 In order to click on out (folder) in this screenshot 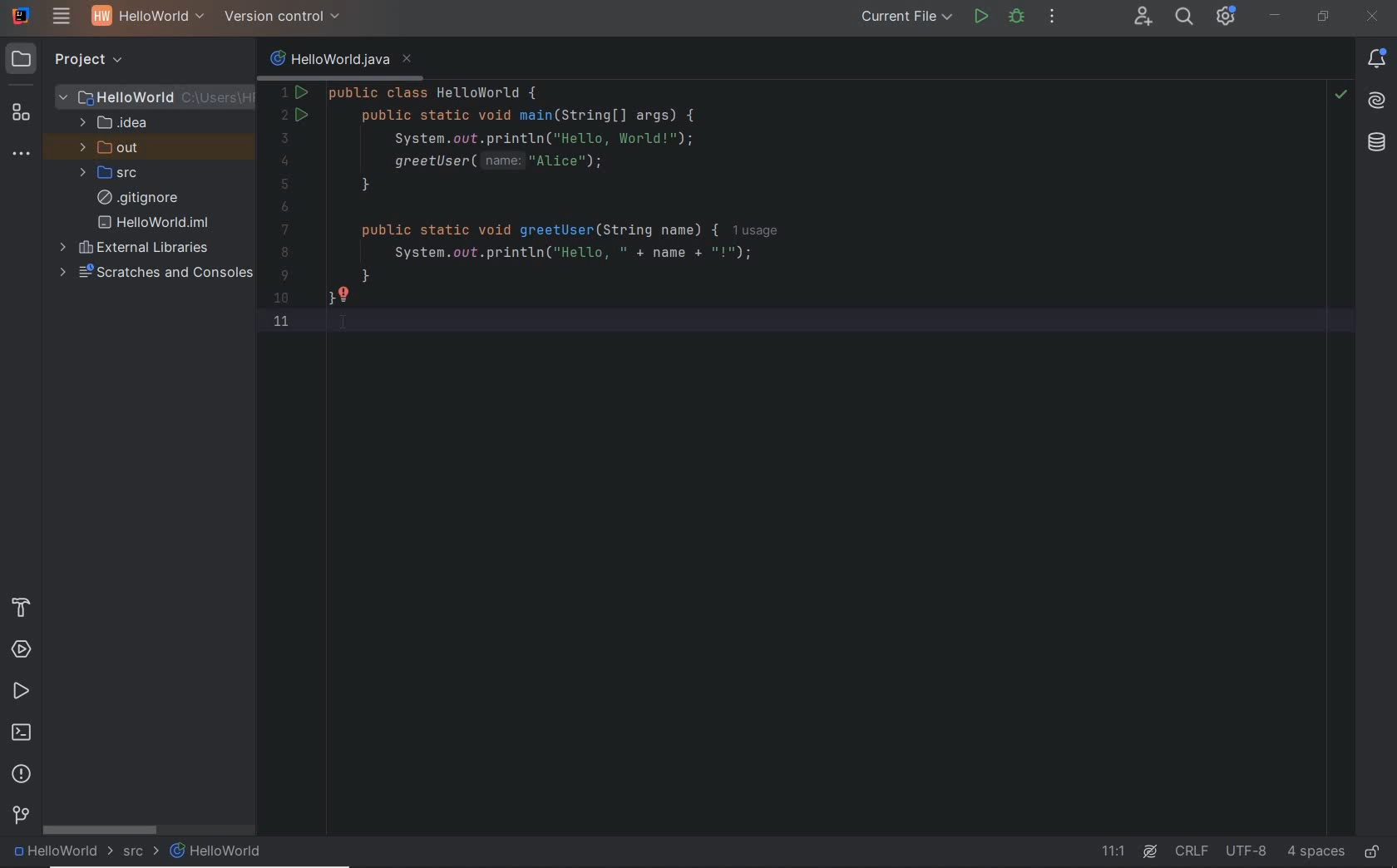, I will do `click(111, 149)`.